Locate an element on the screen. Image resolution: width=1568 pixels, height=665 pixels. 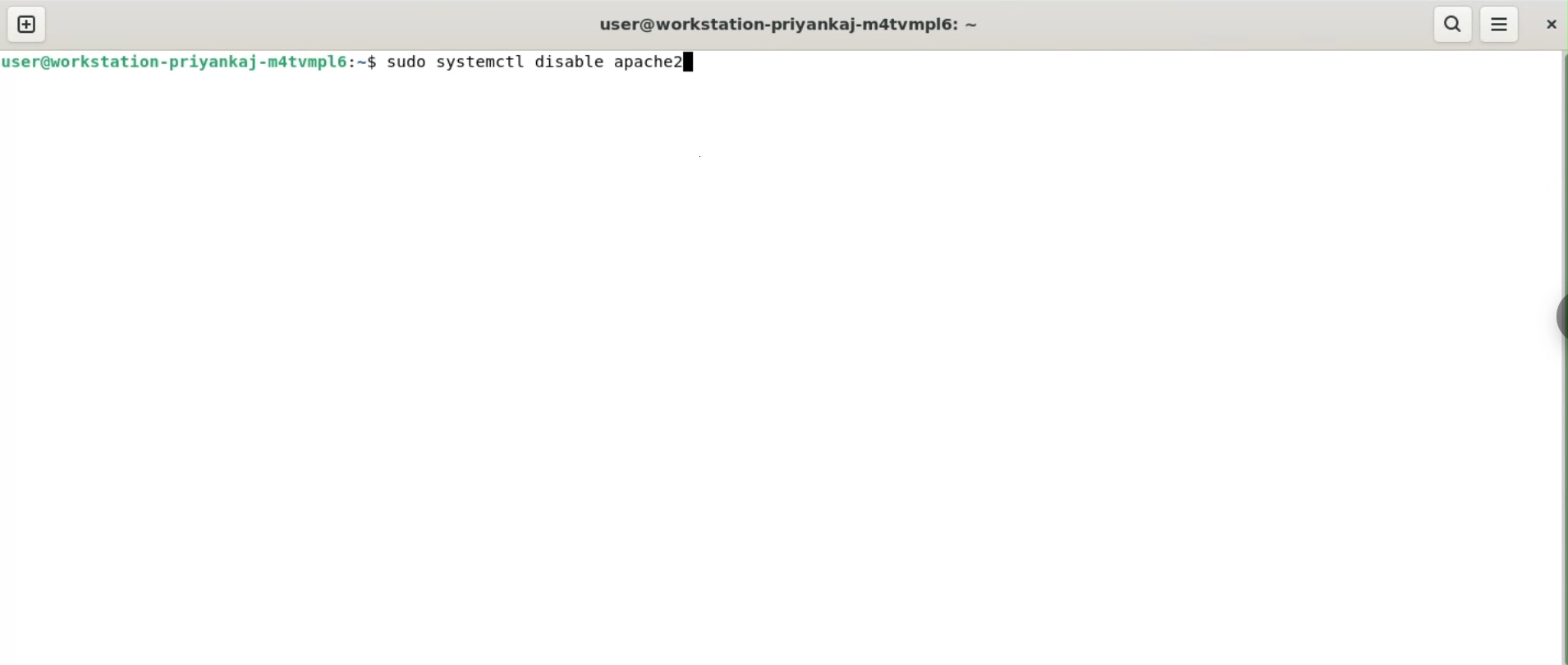
close is located at coordinates (1548, 25).